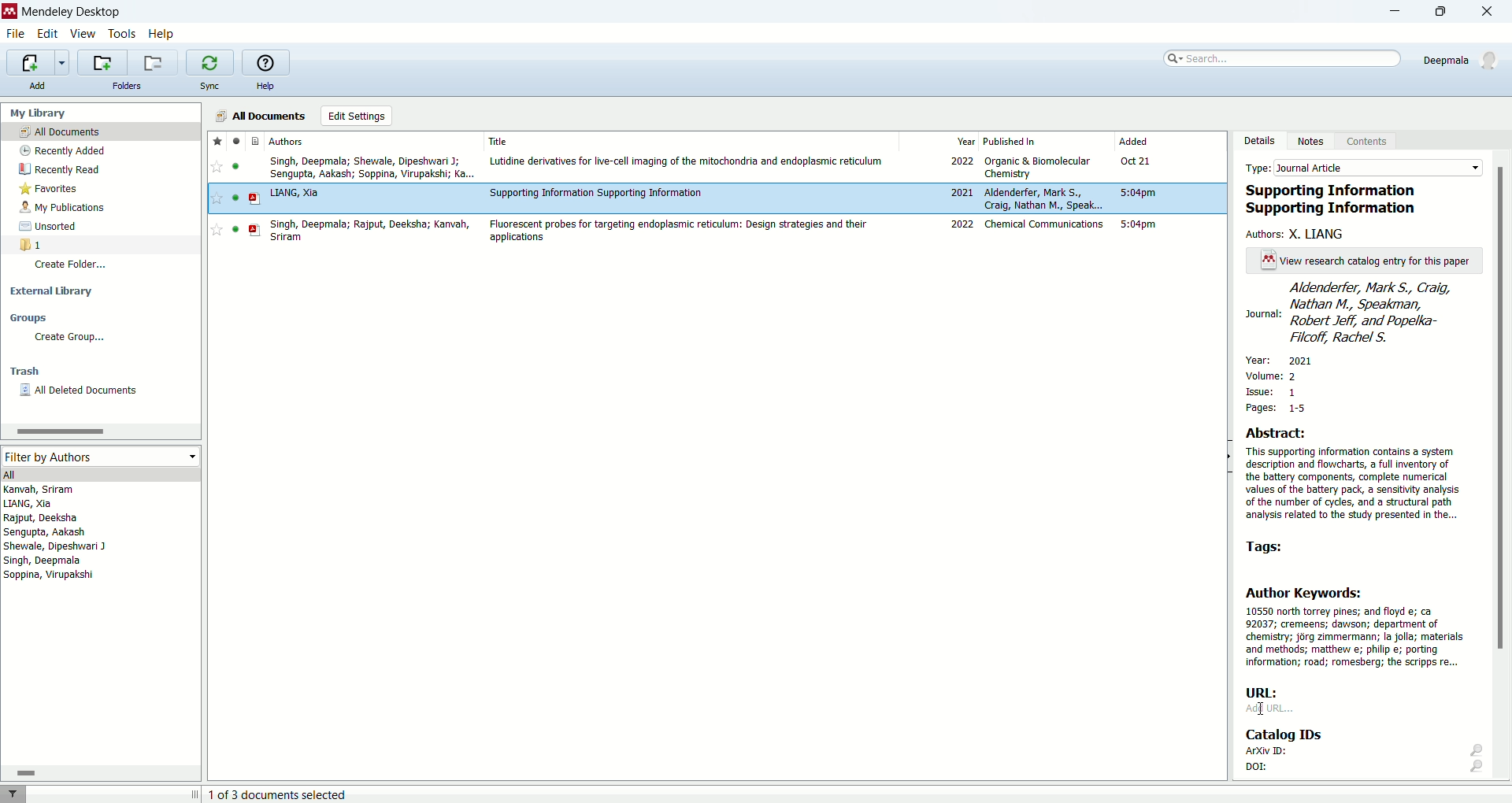 The width and height of the screenshot is (1512, 803). Describe the element at coordinates (254, 140) in the screenshot. I see `document type` at that location.